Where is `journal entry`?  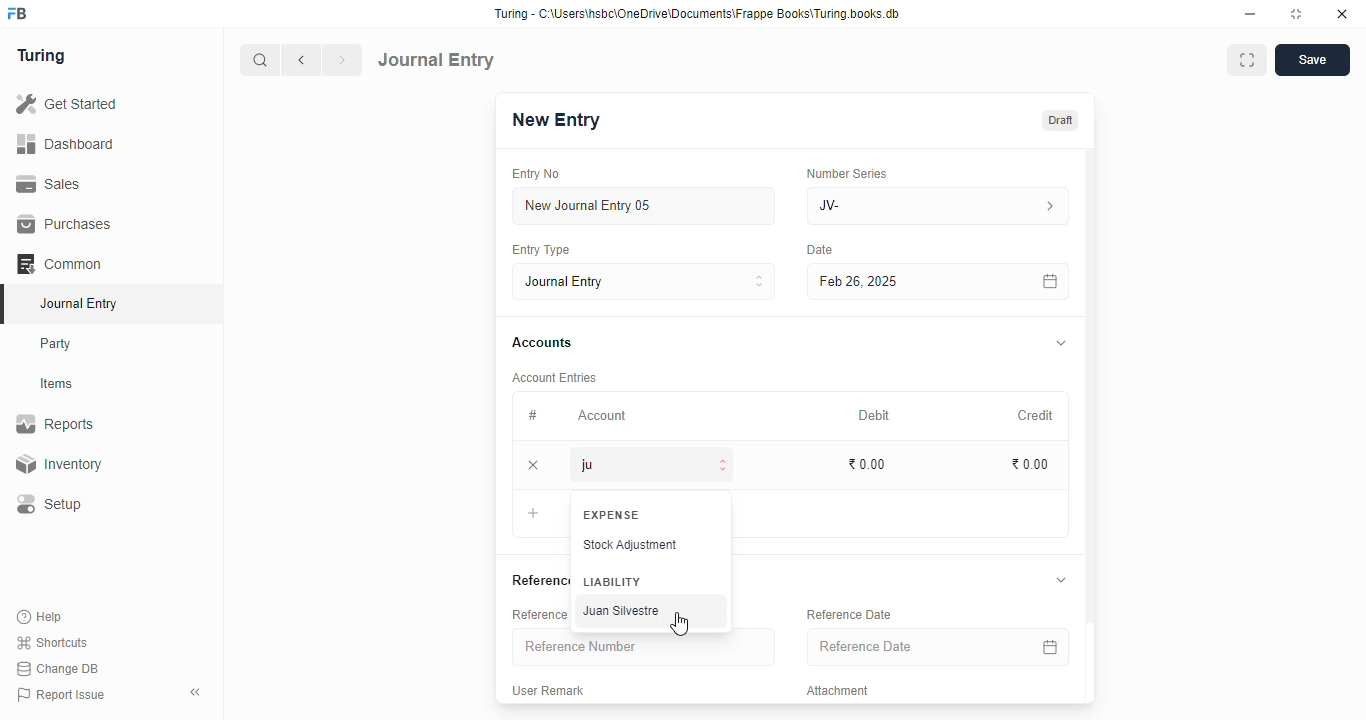
journal entry is located at coordinates (78, 303).